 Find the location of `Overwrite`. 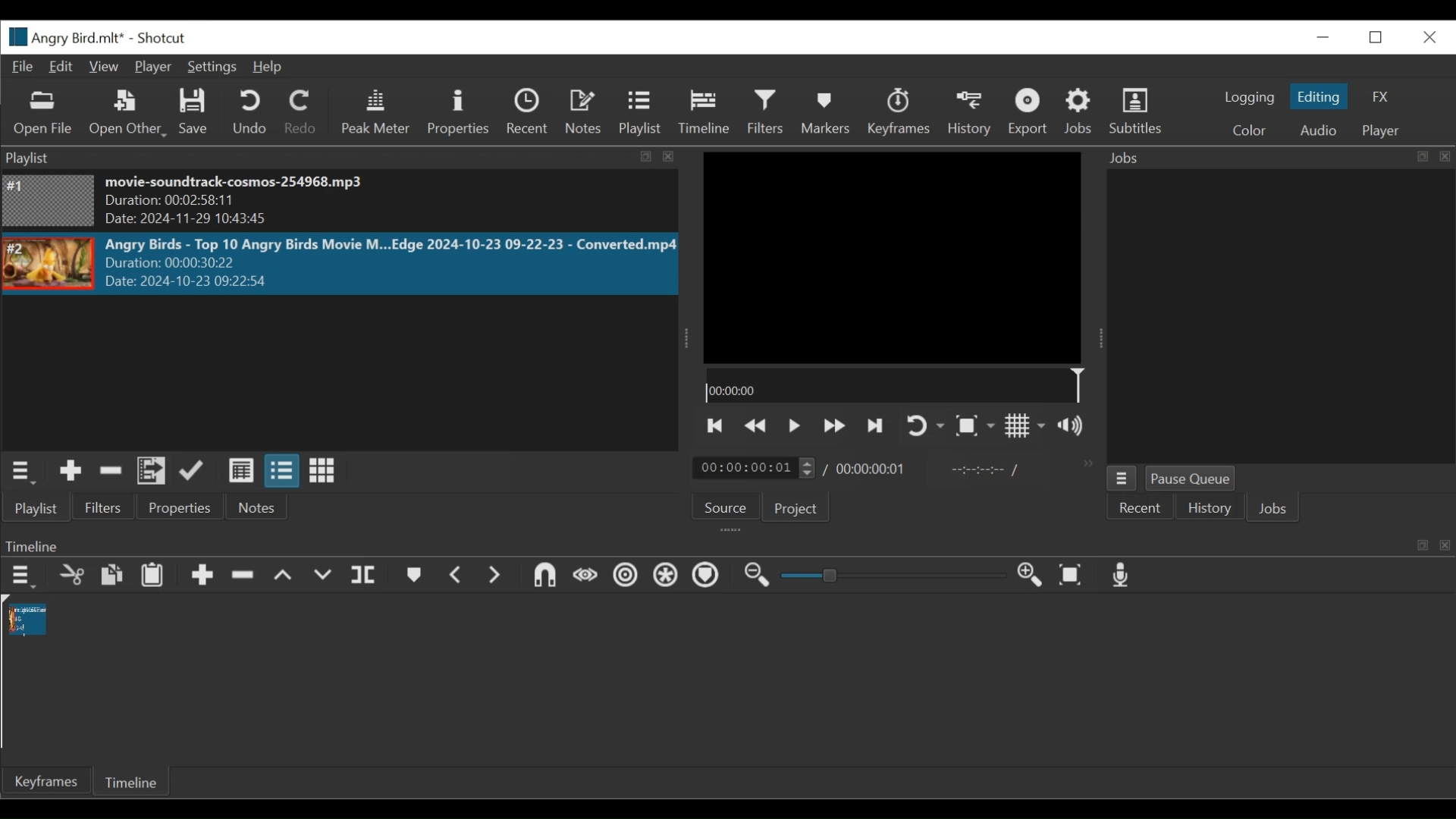

Overwrite is located at coordinates (324, 576).